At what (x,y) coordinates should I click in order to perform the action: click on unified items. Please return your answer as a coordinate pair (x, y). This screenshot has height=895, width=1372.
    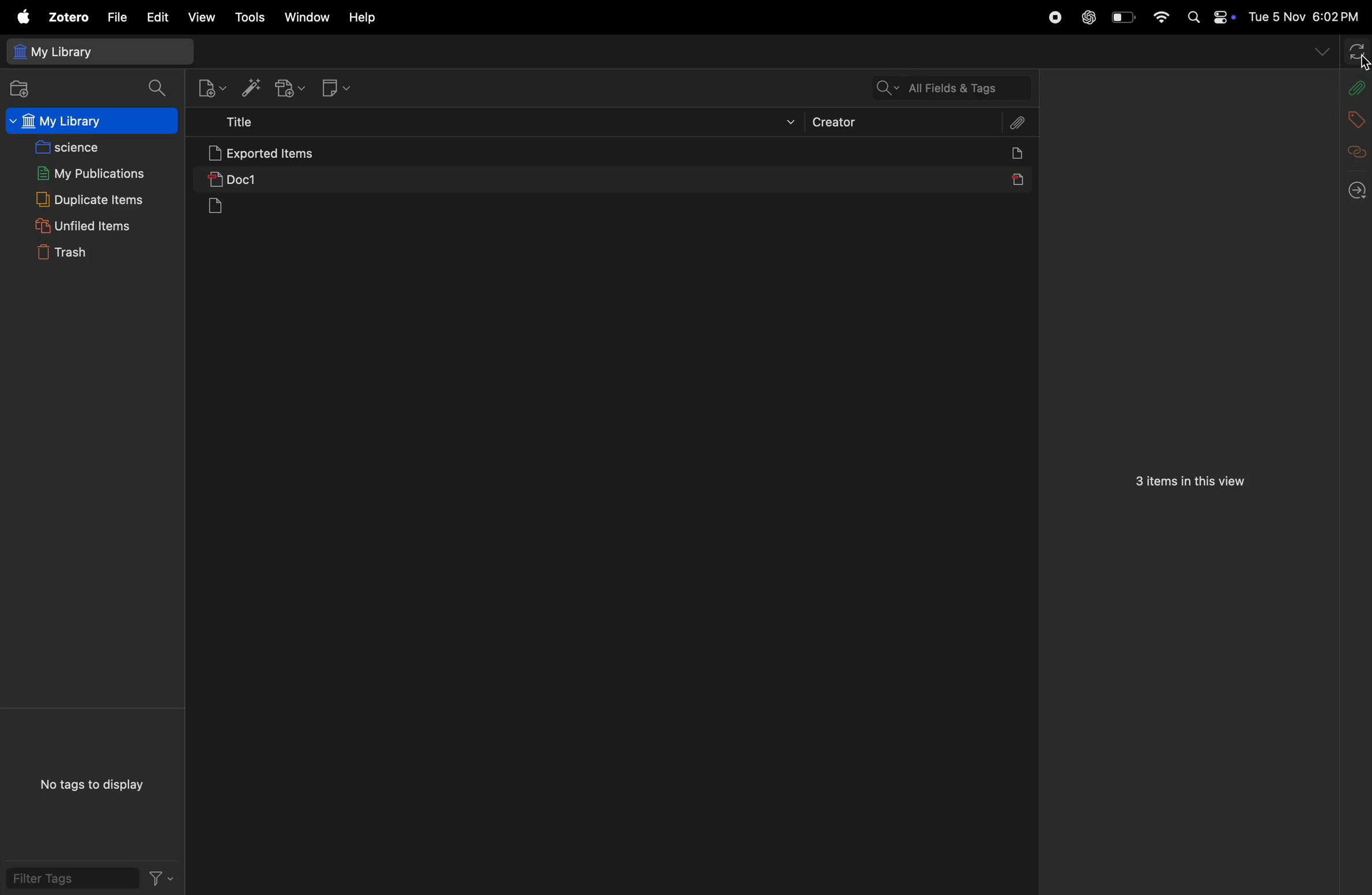
    Looking at the image, I should click on (82, 228).